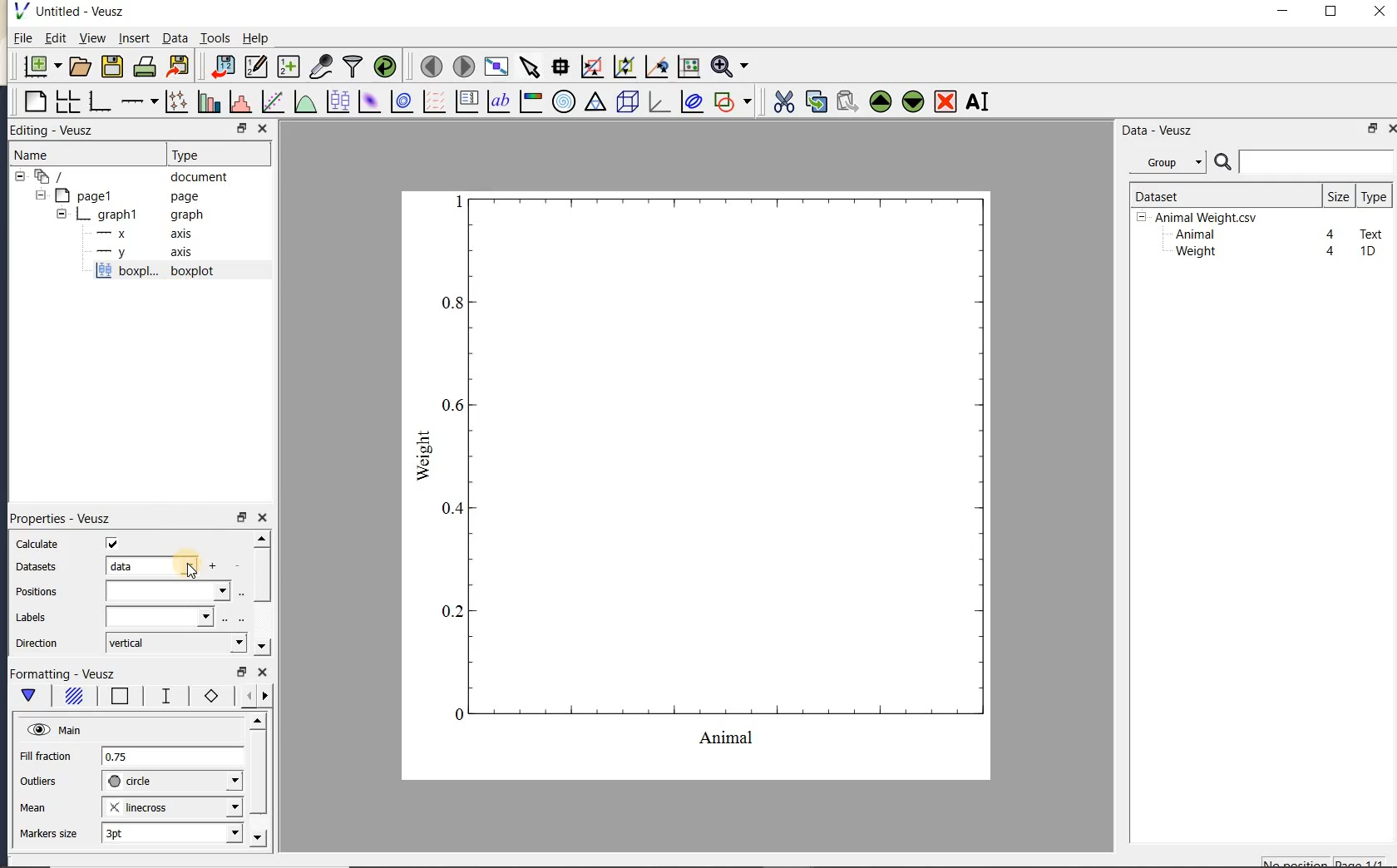 This screenshot has height=868, width=1397. I want to click on close, so click(263, 673).